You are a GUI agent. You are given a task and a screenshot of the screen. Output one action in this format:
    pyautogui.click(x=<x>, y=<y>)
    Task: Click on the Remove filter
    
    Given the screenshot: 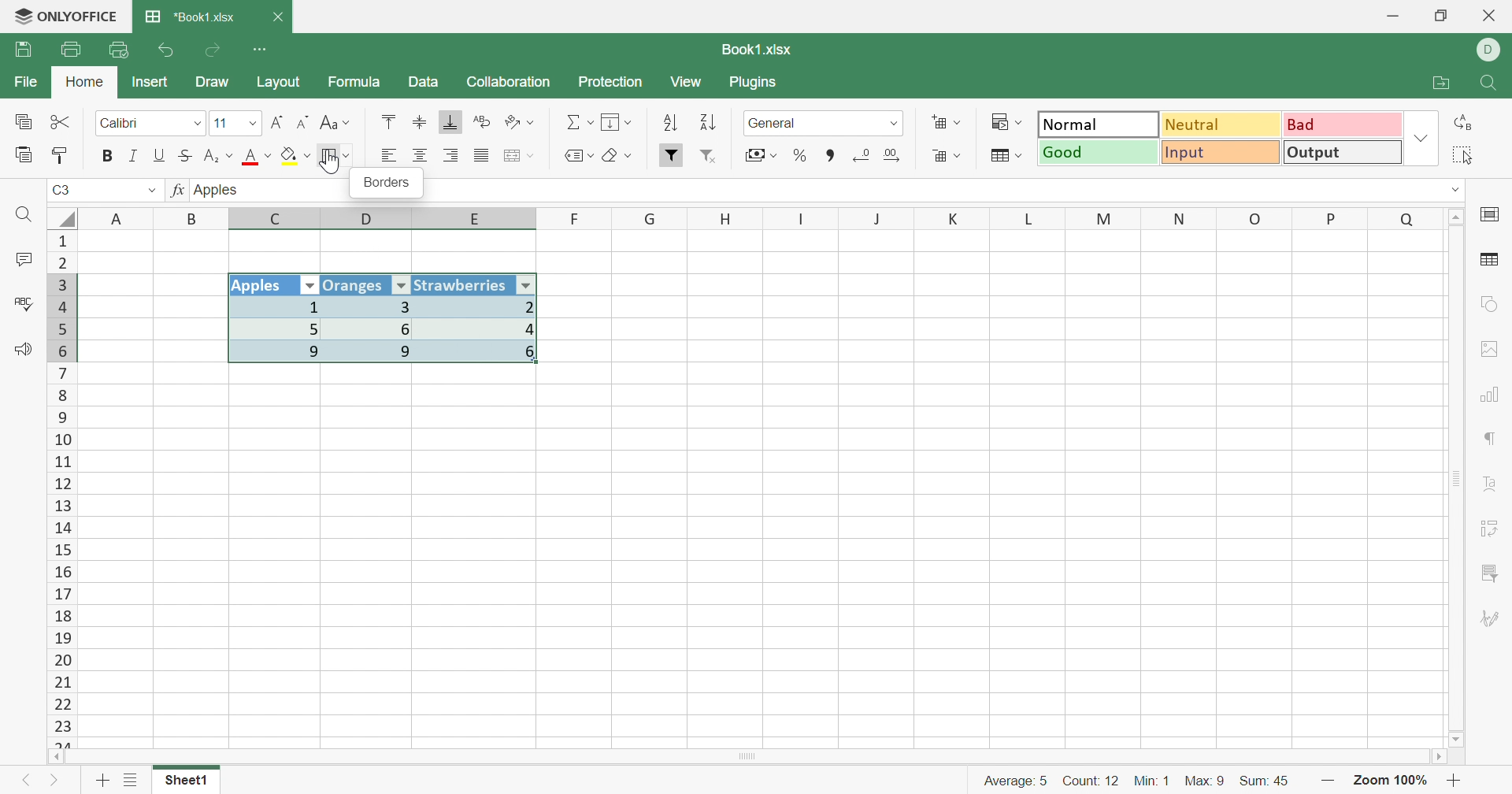 What is the action you would take?
    pyautogui.click(x=715, y=158)
    